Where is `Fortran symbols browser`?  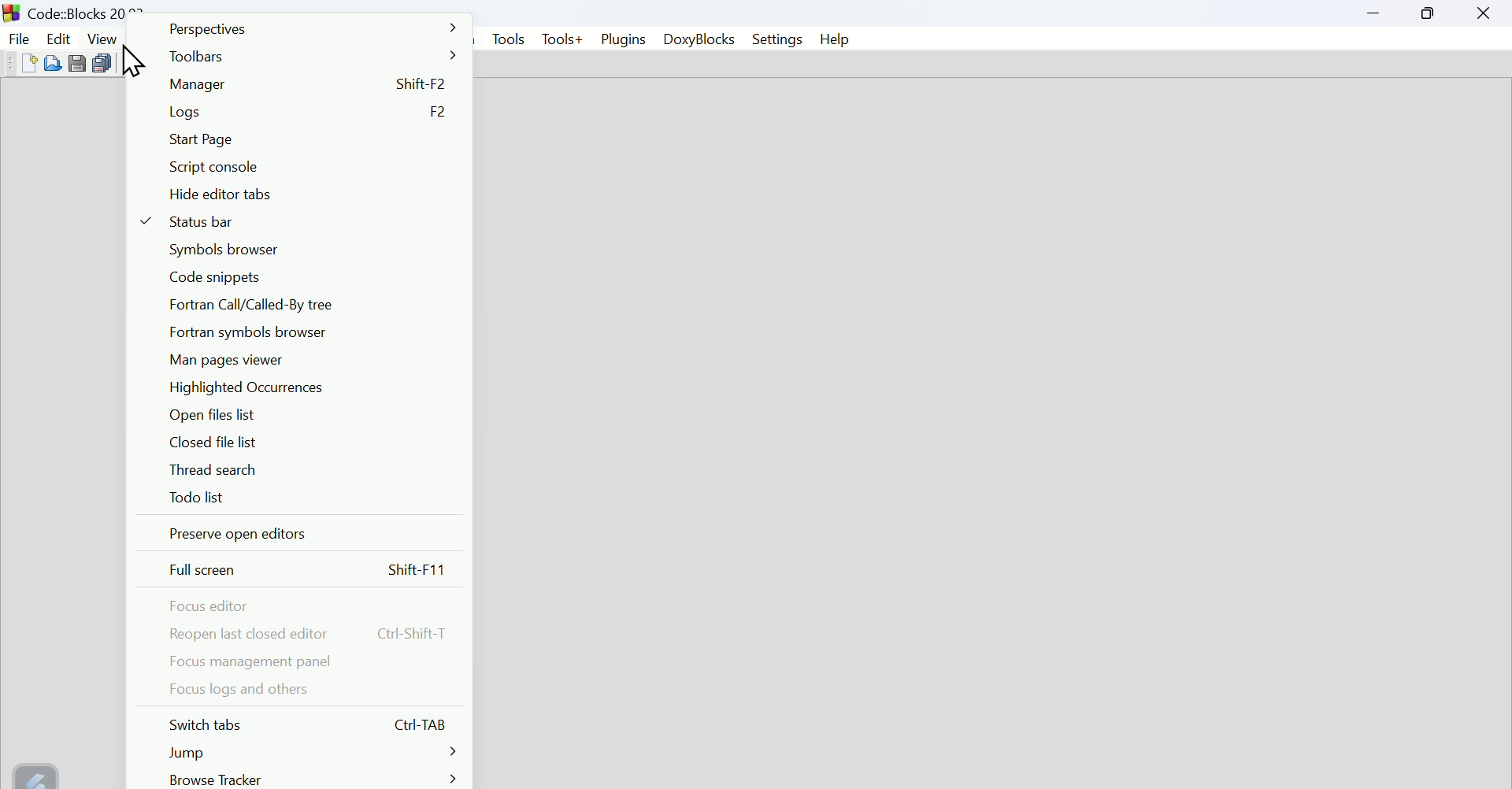
Fortran symbols browser is located at coordinates (248, 332).